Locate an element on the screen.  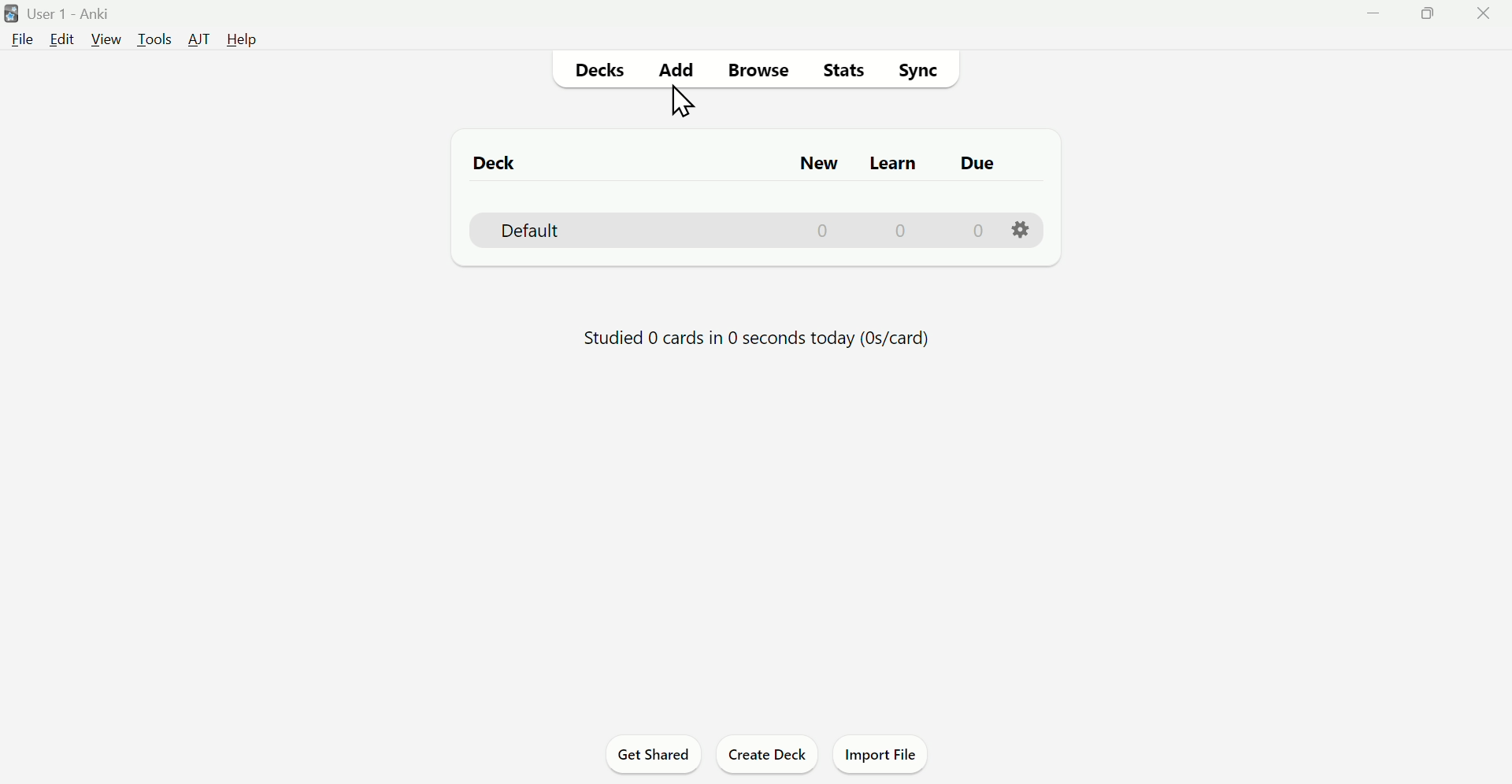
Add is located at coordinates (680, 69).